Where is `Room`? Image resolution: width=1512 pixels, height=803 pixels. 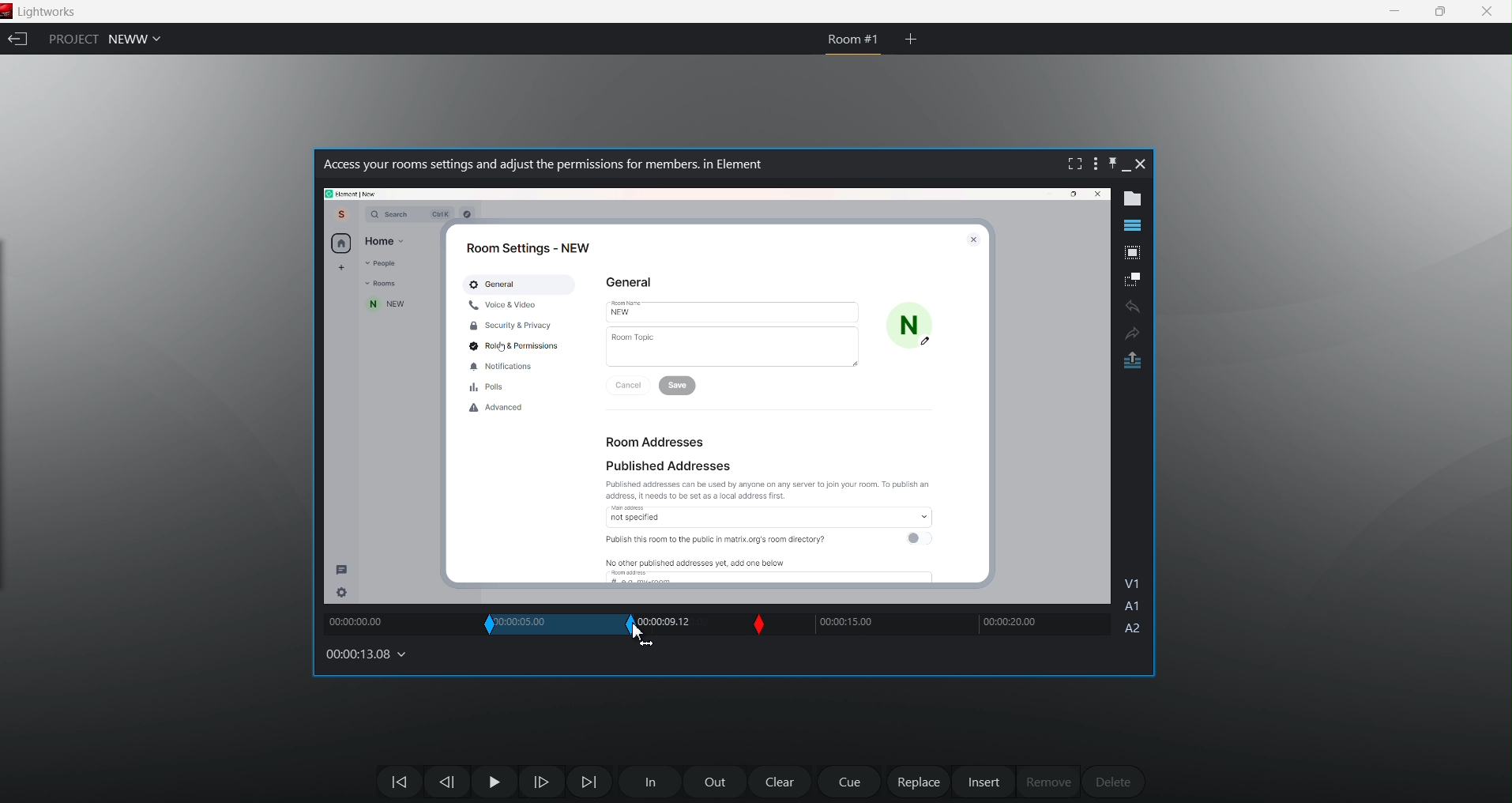 Room is located at coordinates (386, 283).